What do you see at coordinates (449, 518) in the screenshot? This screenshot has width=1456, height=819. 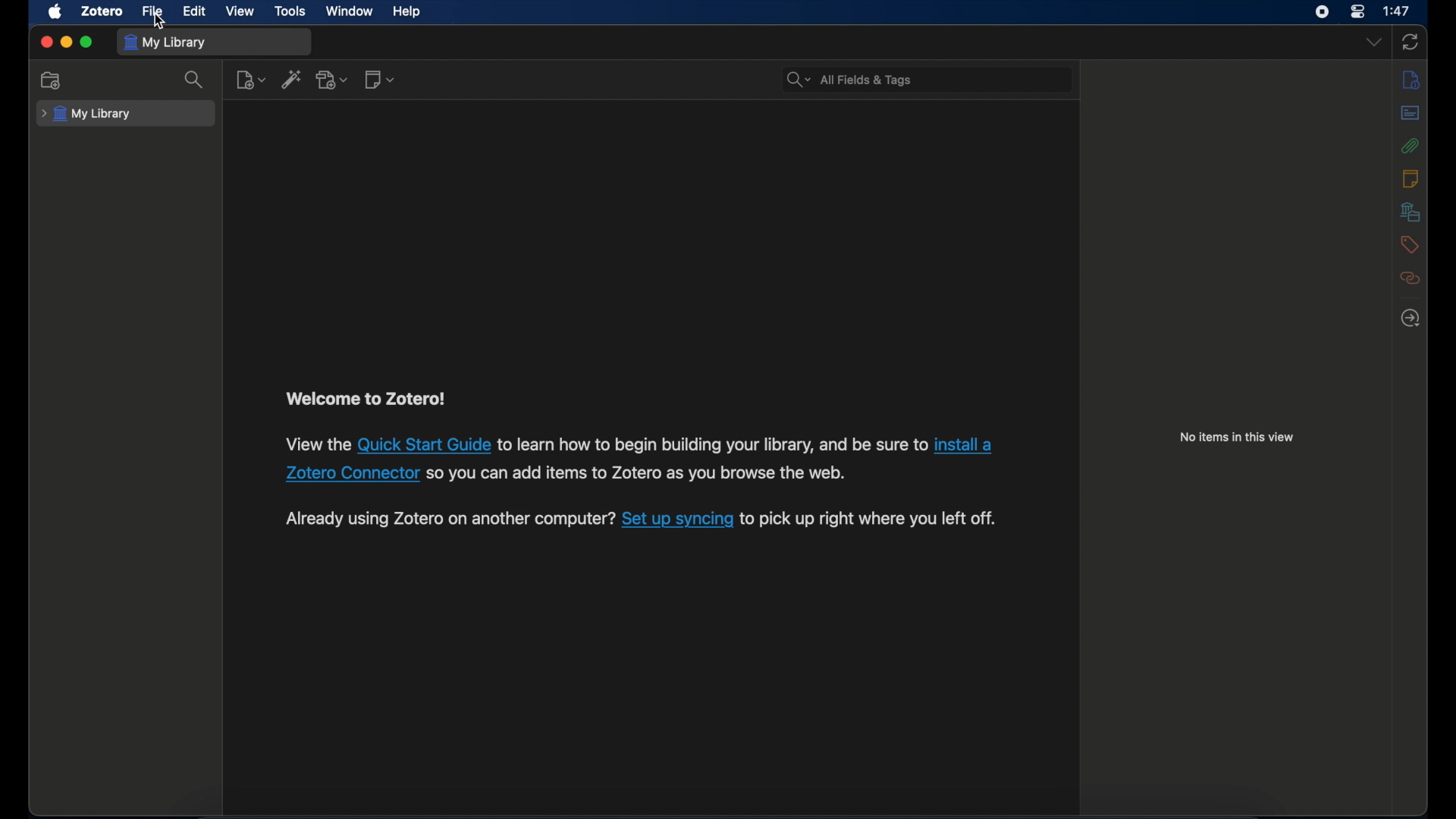 I see `Already using Zotero on another computer?` at bounding box center [449, 518].